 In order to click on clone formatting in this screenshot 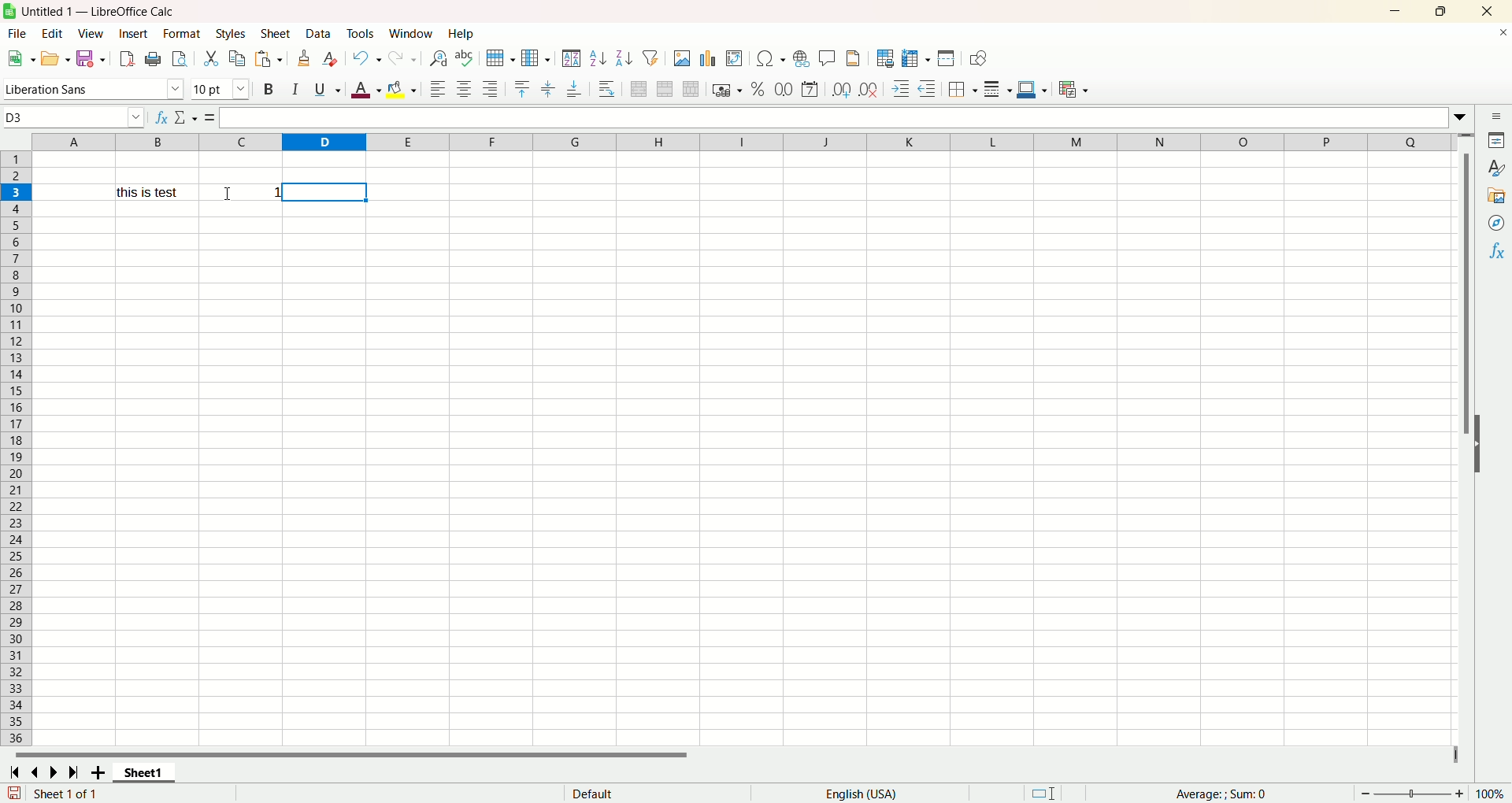, I will do `click(306, 57)`.